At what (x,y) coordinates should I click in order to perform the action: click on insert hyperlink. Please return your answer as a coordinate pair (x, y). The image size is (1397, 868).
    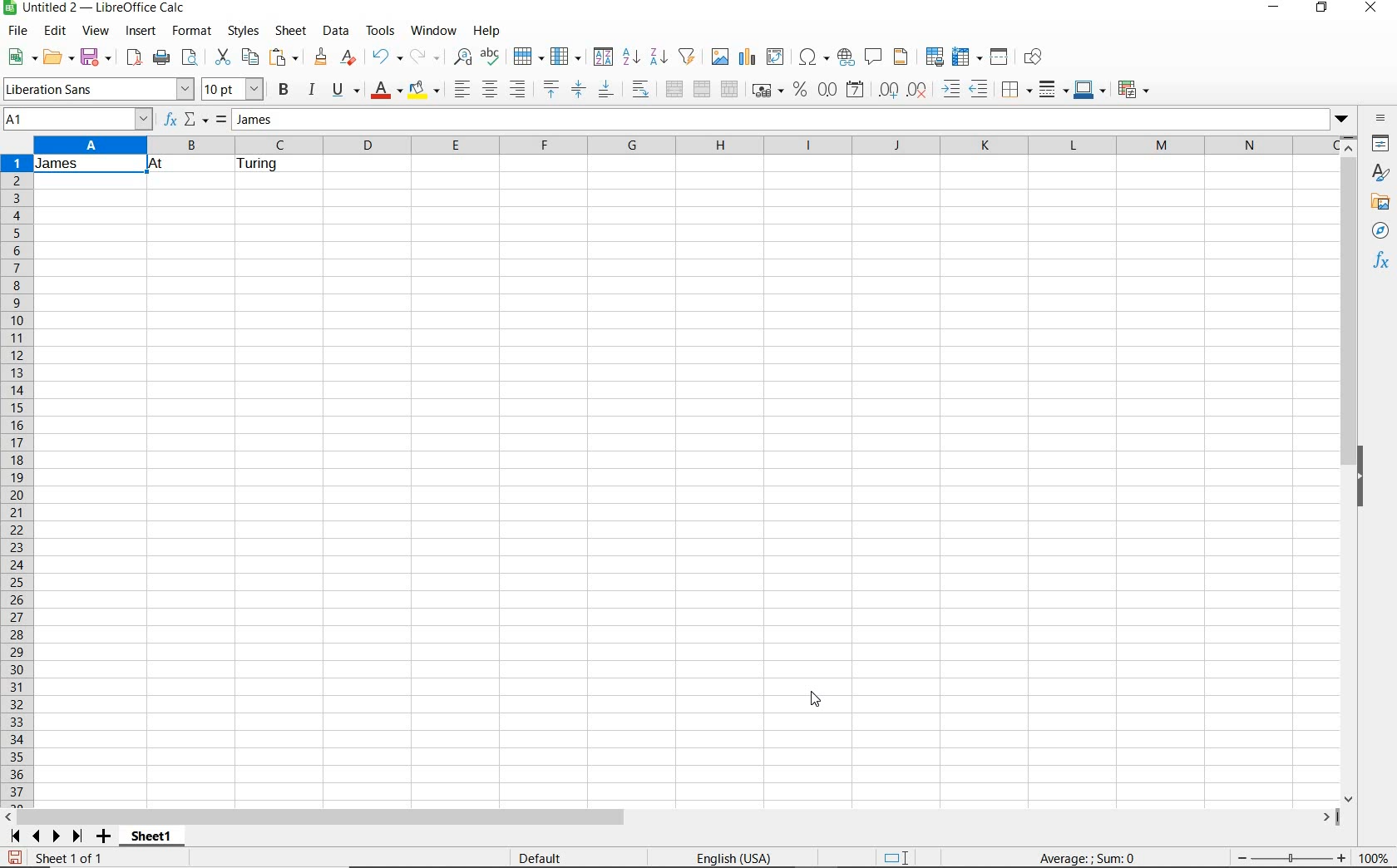
    Looking at the image, I should click on (847, 59).